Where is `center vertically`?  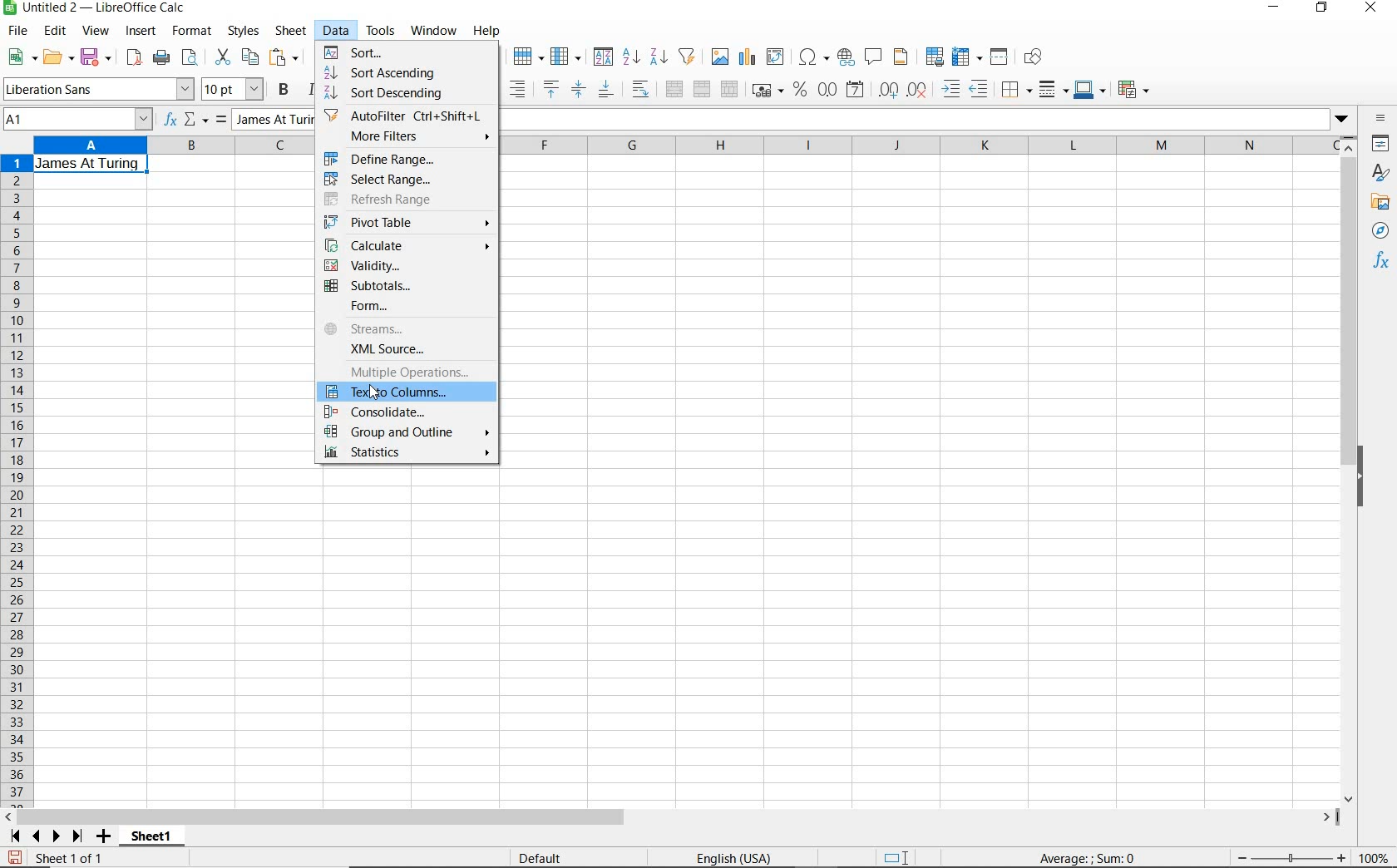 center vertically is located at coordinates (580, 89).